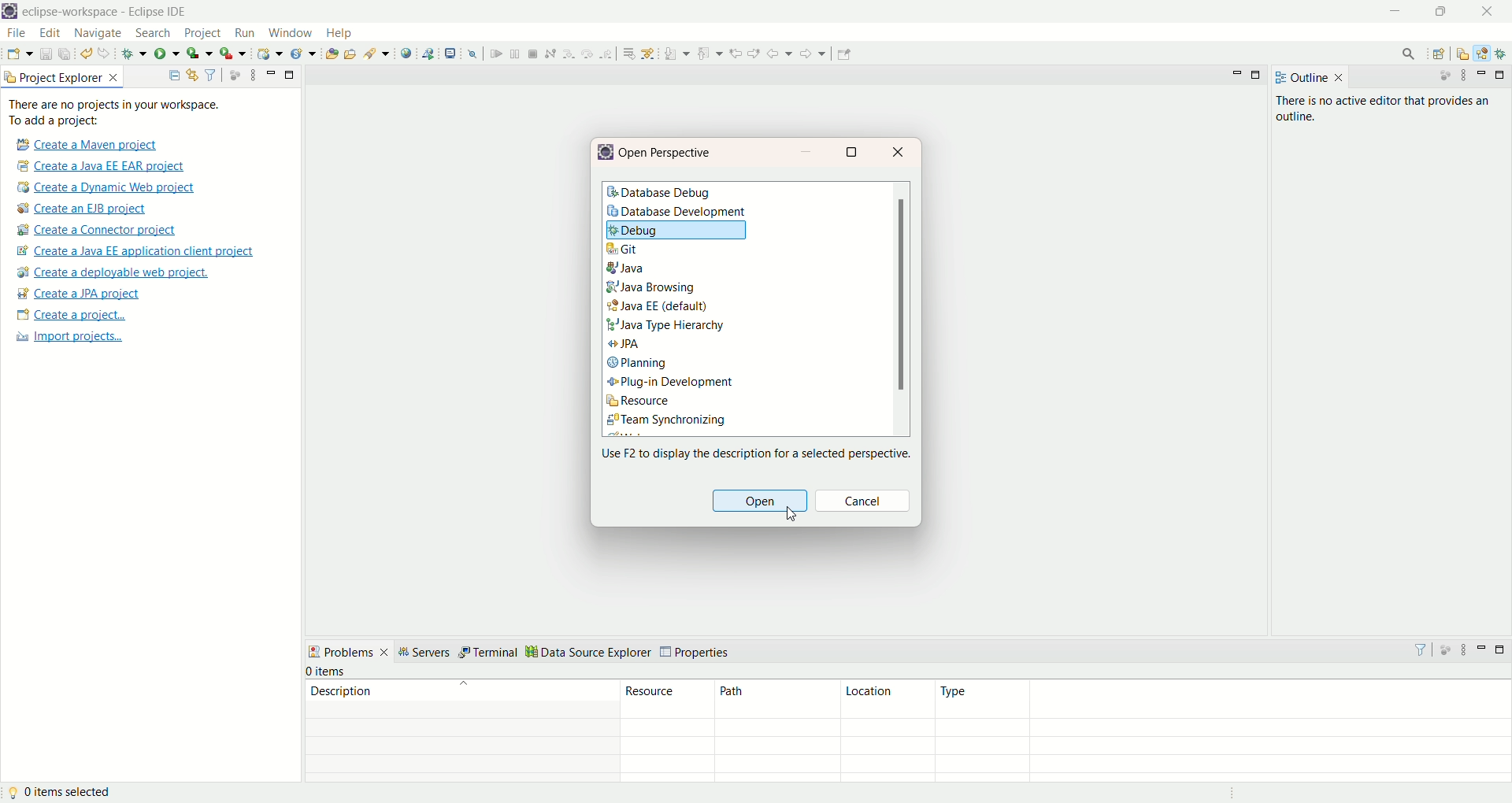 The image size is (1512, 803). I want to click on outline, so click(1310, 80).